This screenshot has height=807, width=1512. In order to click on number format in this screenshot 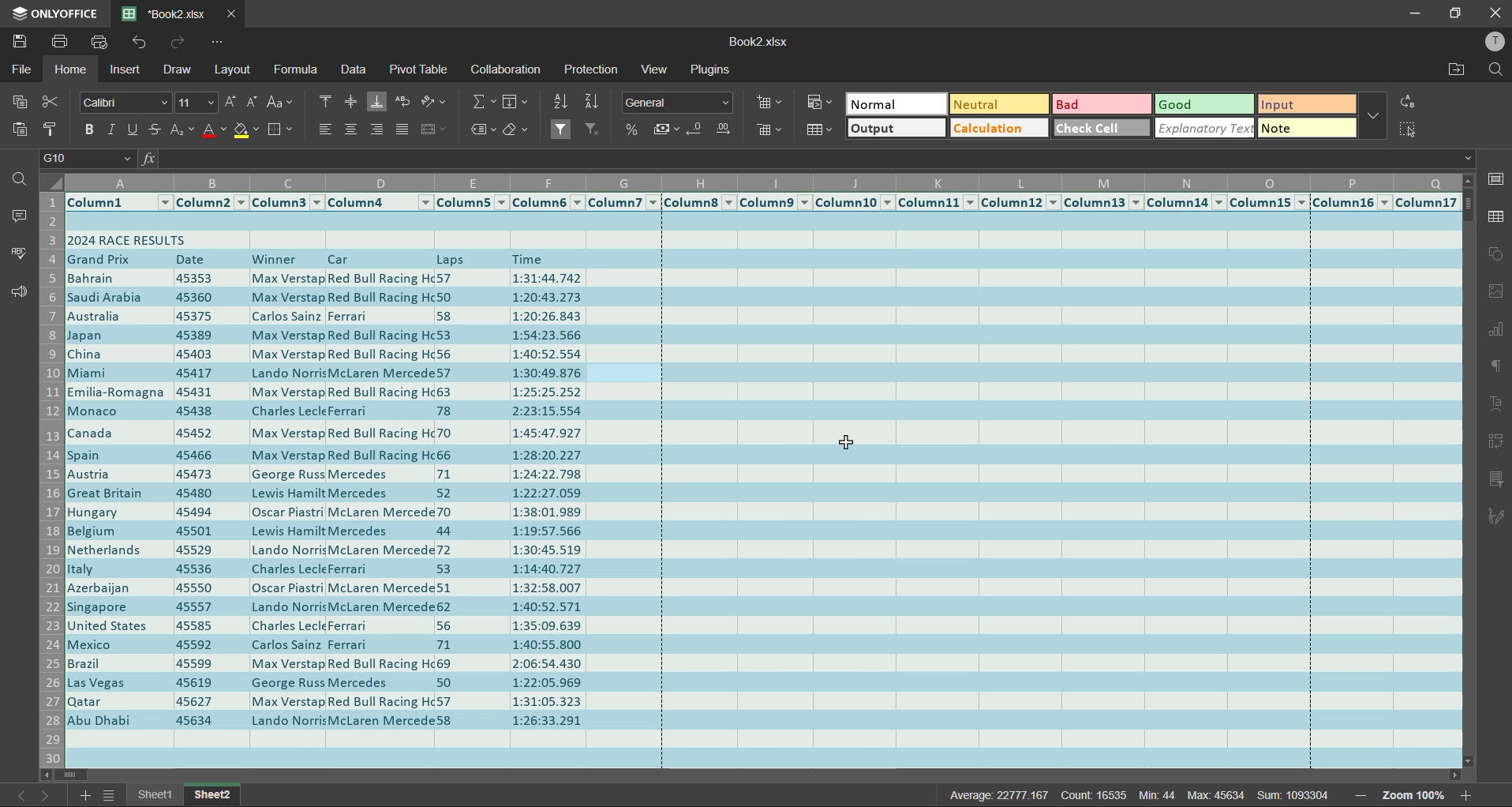, I will do `click(678, 103)`.